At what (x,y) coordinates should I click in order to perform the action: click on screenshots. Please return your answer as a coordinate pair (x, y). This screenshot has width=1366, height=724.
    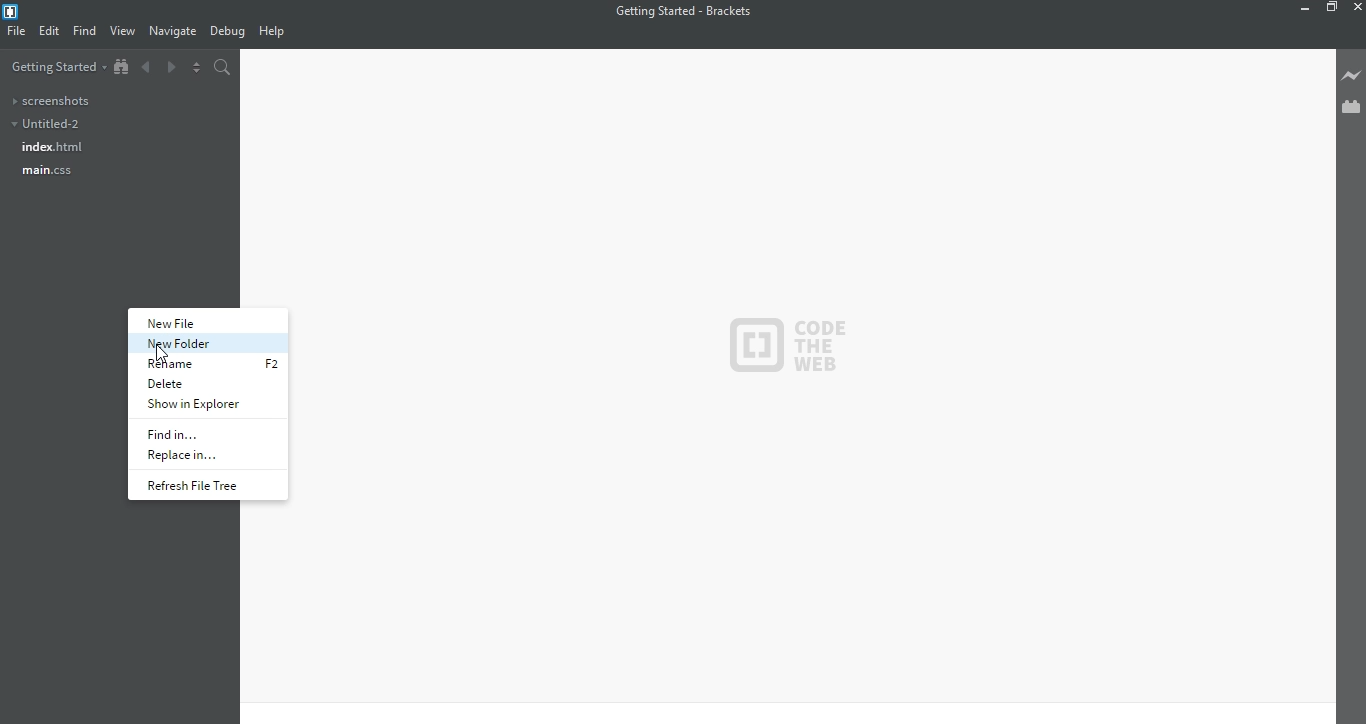
    Looking at the image, I should click on (55, 100).